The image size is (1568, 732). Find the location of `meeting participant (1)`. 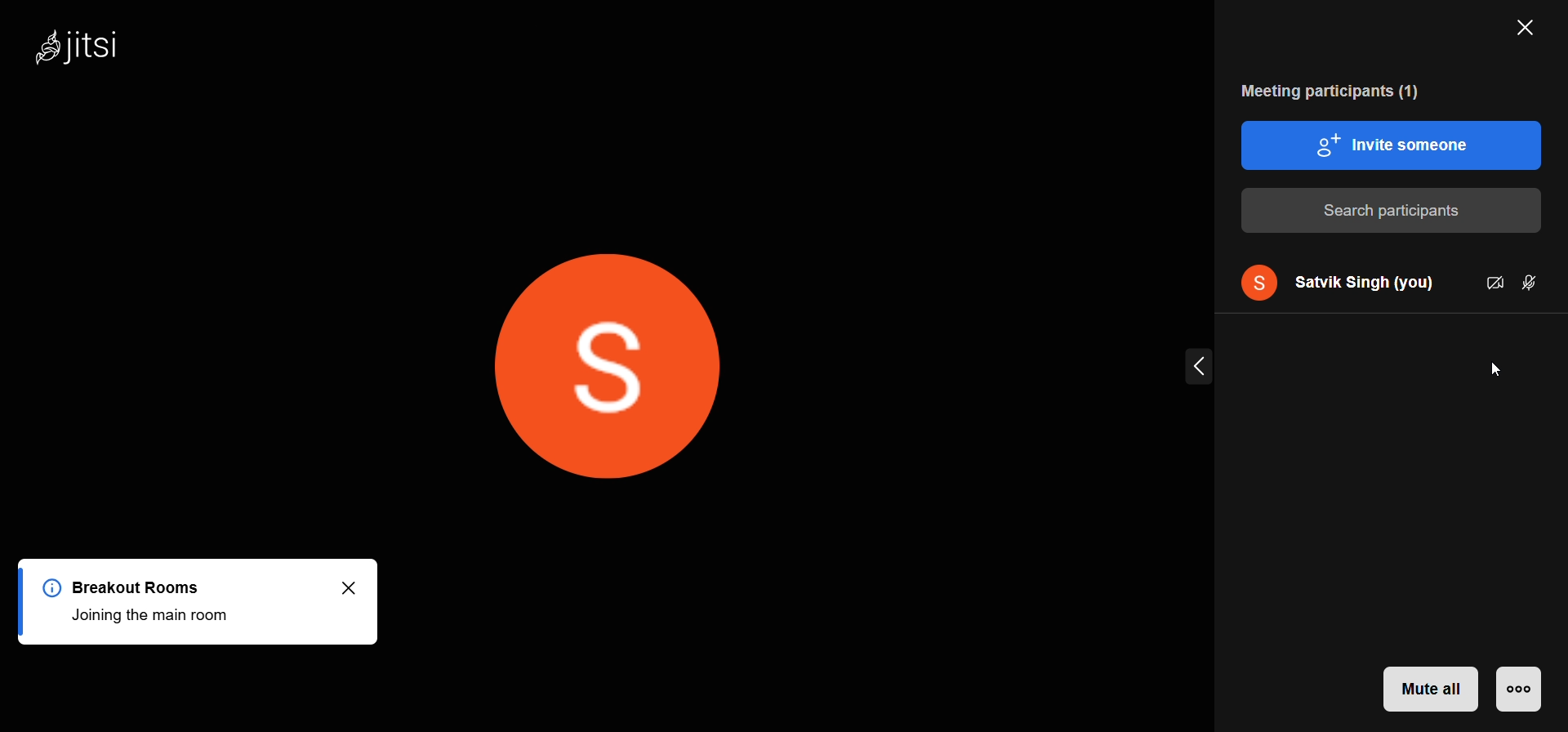

meeting participant (1) is located at coordinates (1344, 89).